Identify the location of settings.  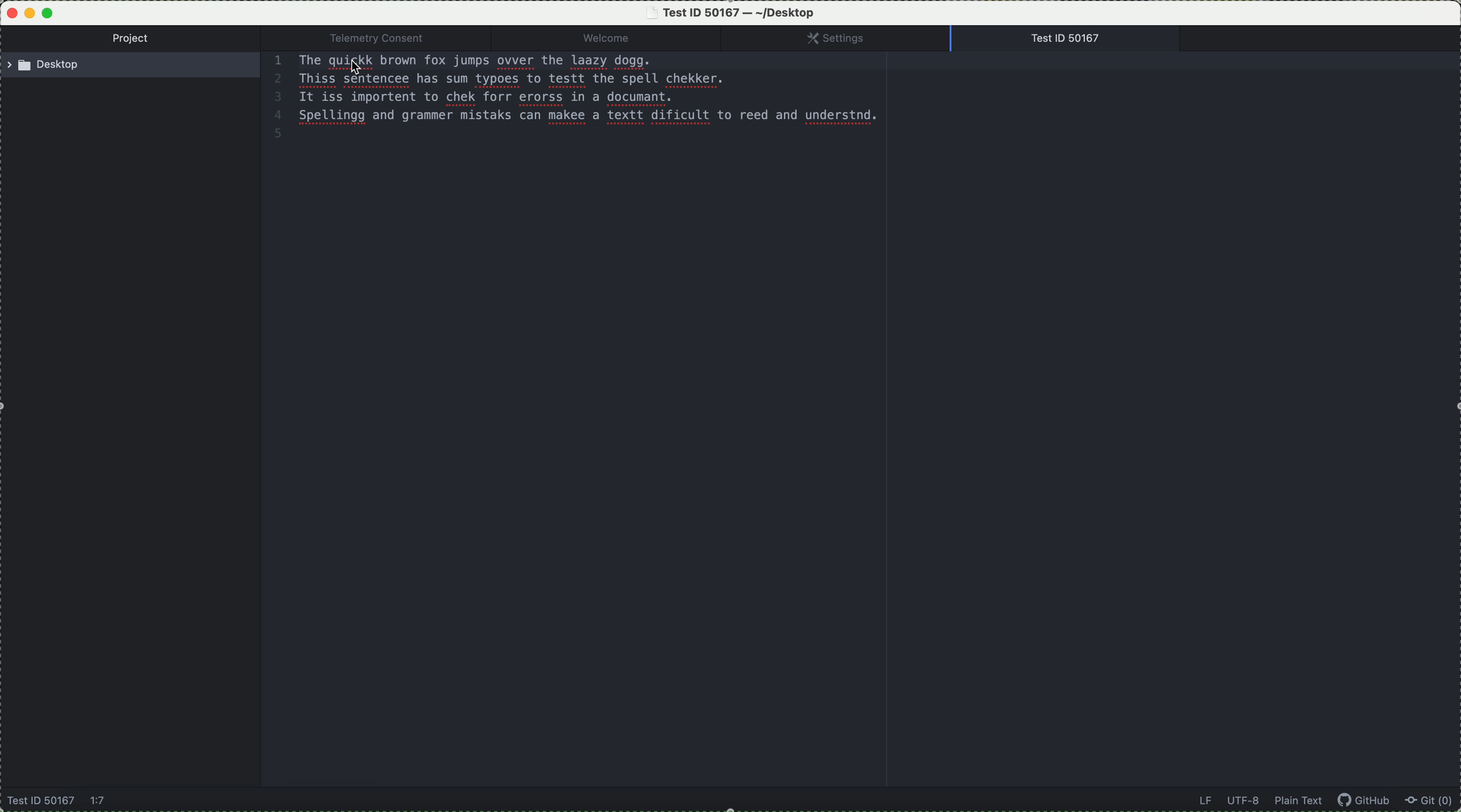
(847, 39).